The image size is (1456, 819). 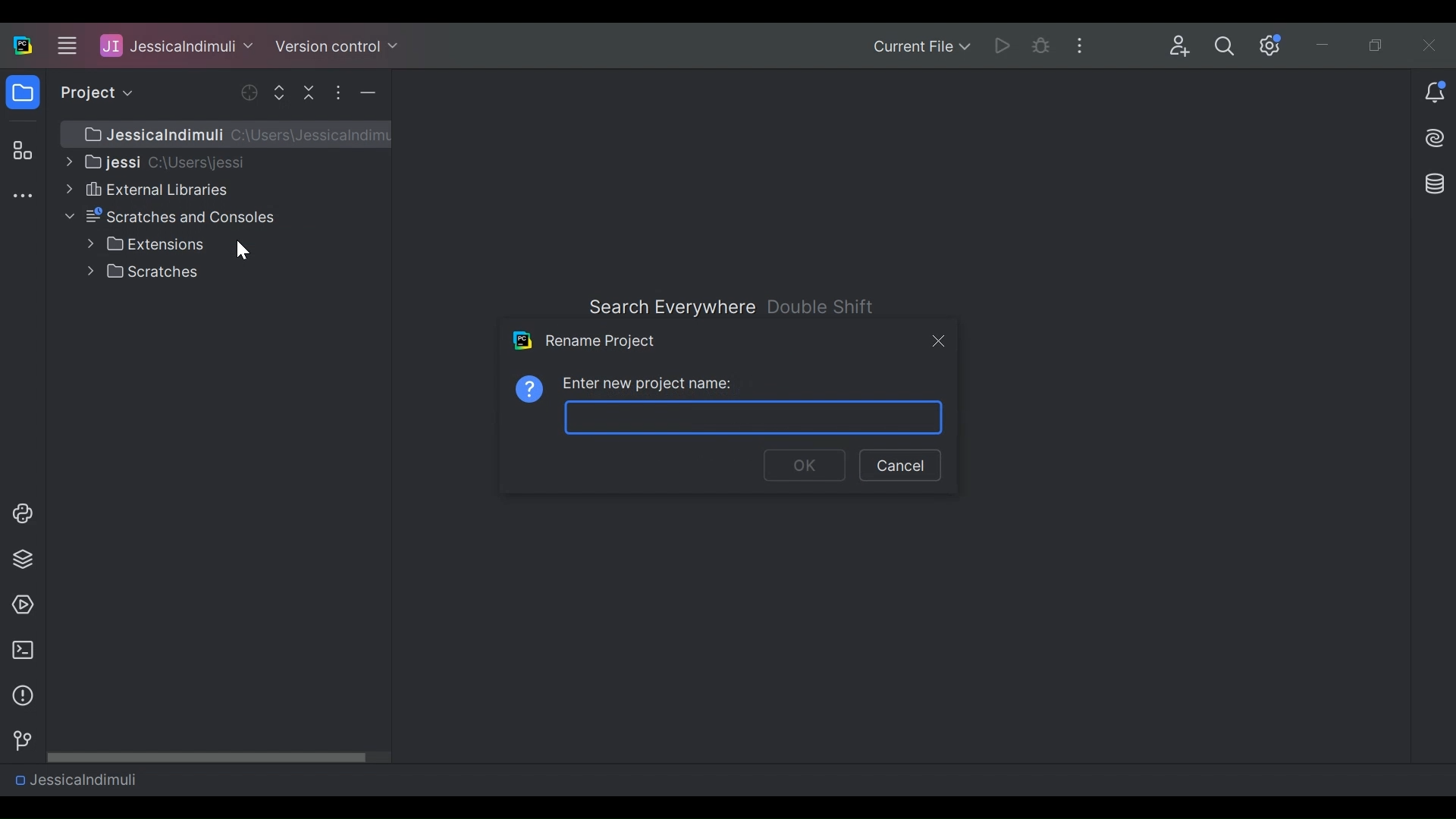 What do you see at coordinates (146, 271) in the screenshot?
I see `Scratches` at bounding box center [146, 271].